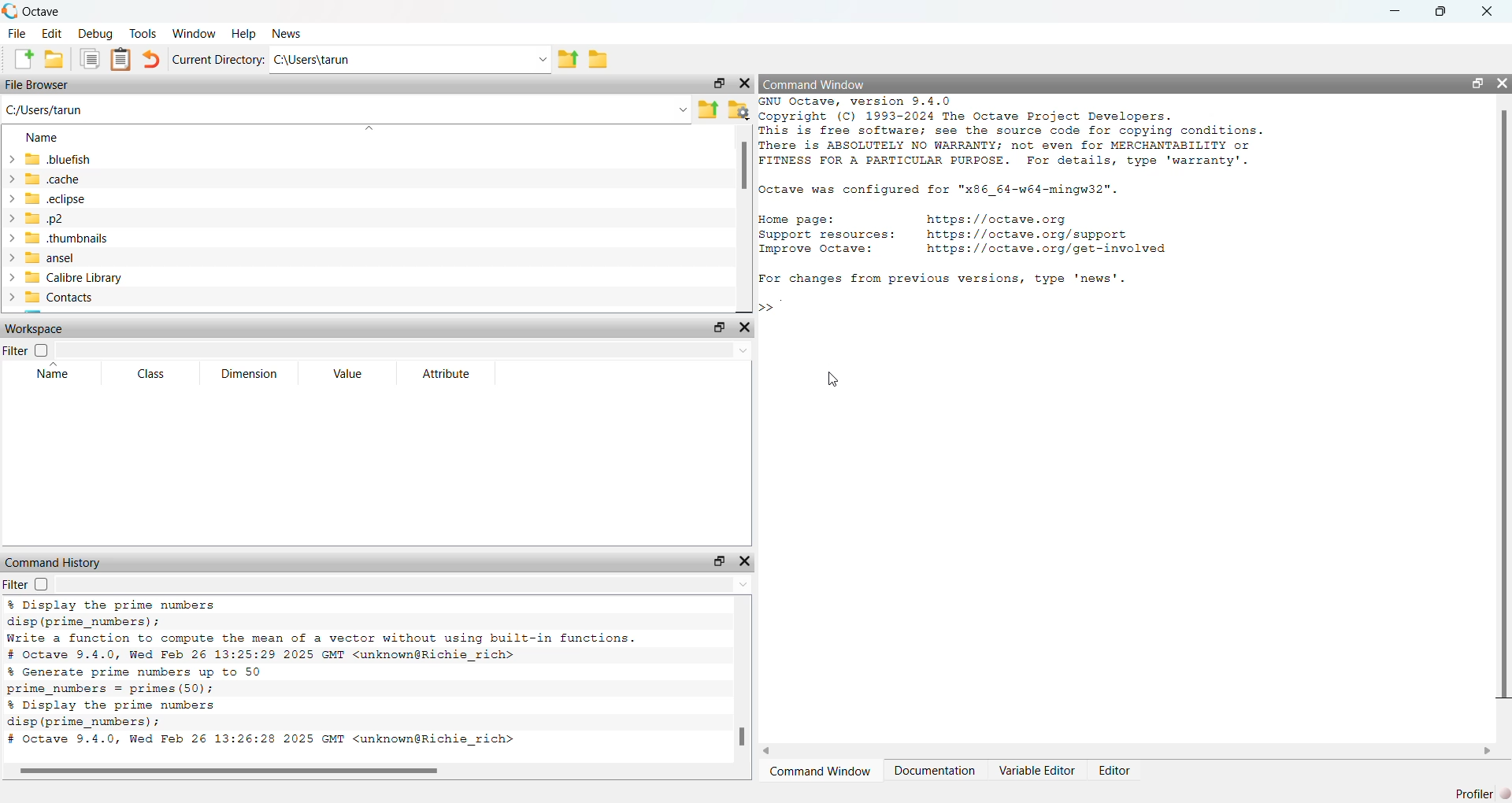 The image size is (1512, 803). What do you see at coordinates (46, 219) in the screenshot?
I see `.p2` at bounding box center [46, 219].